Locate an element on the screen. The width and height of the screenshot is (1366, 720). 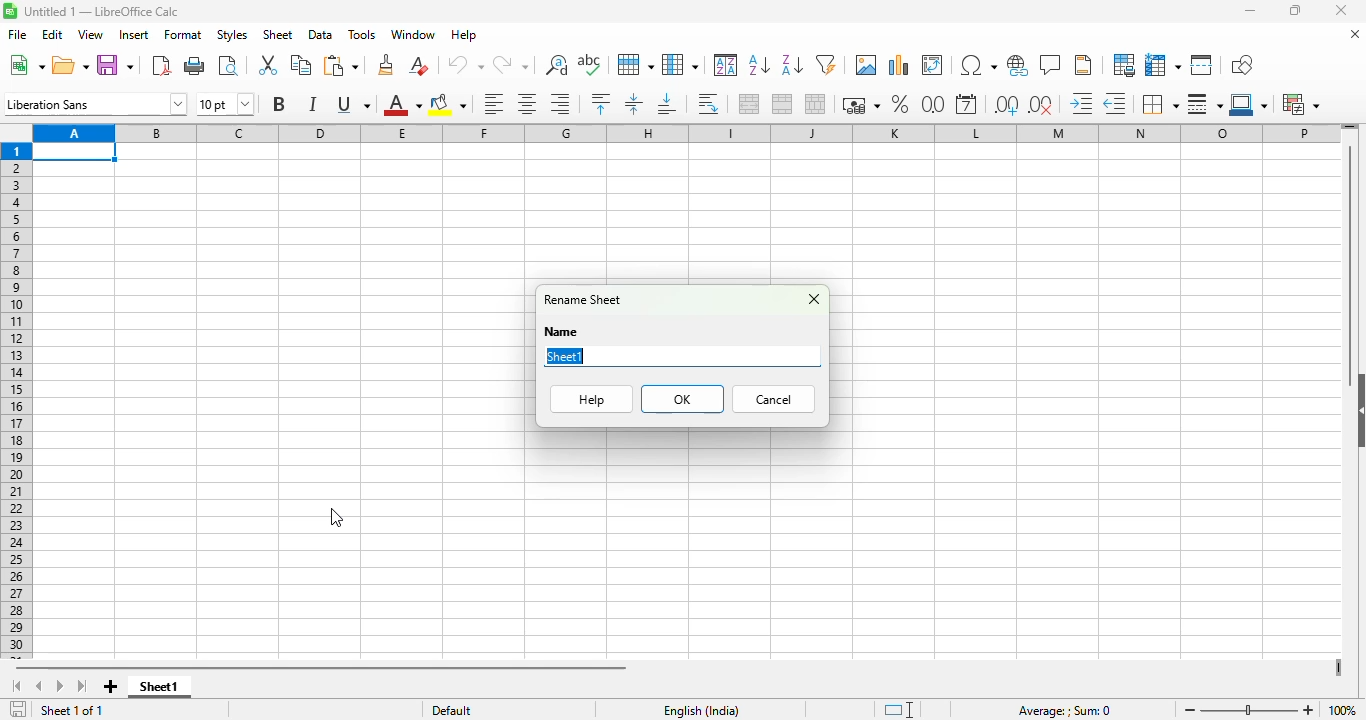
default is located at coordinates (452, 710).